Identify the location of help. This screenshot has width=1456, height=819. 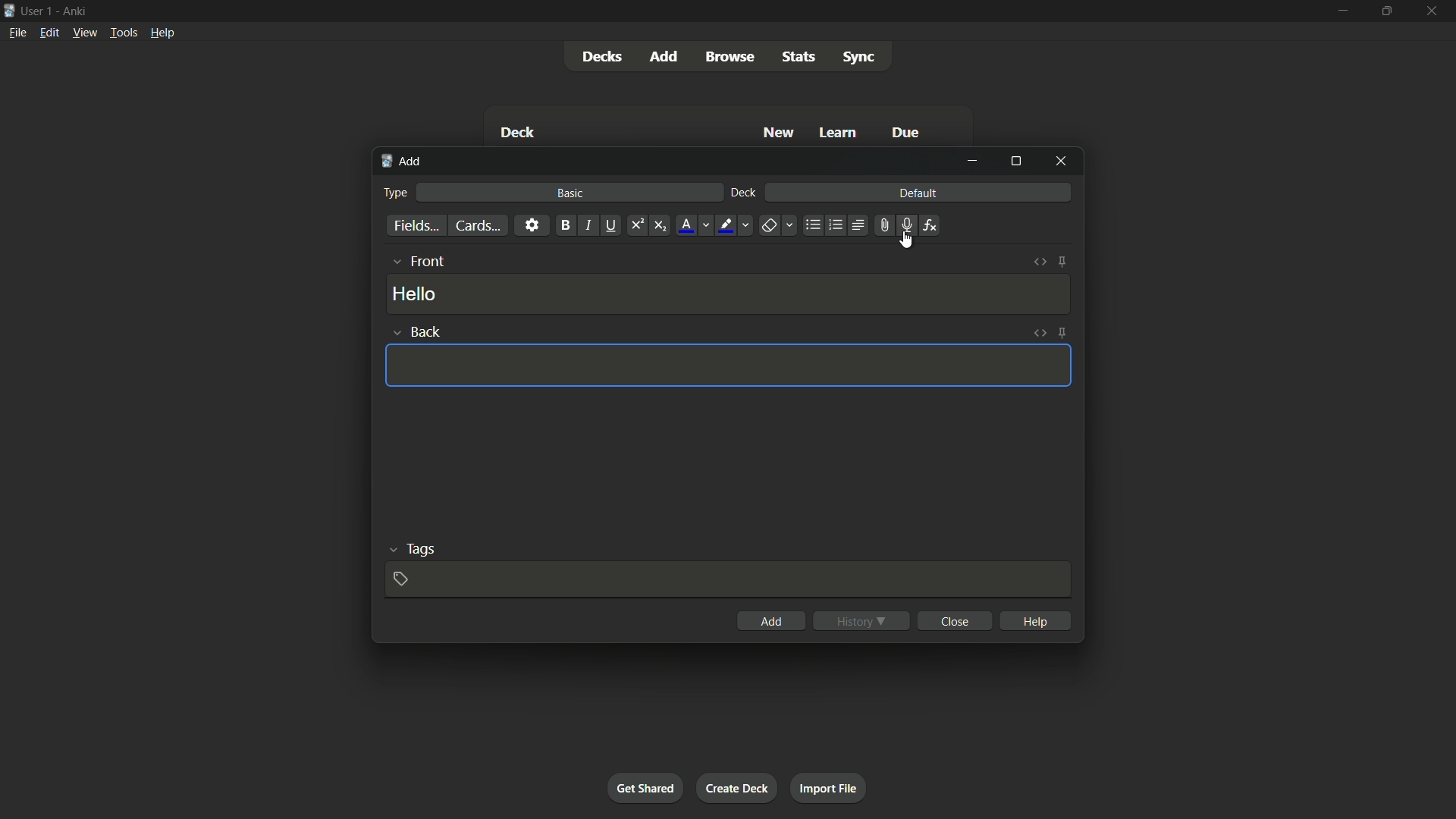
(1036, 620).